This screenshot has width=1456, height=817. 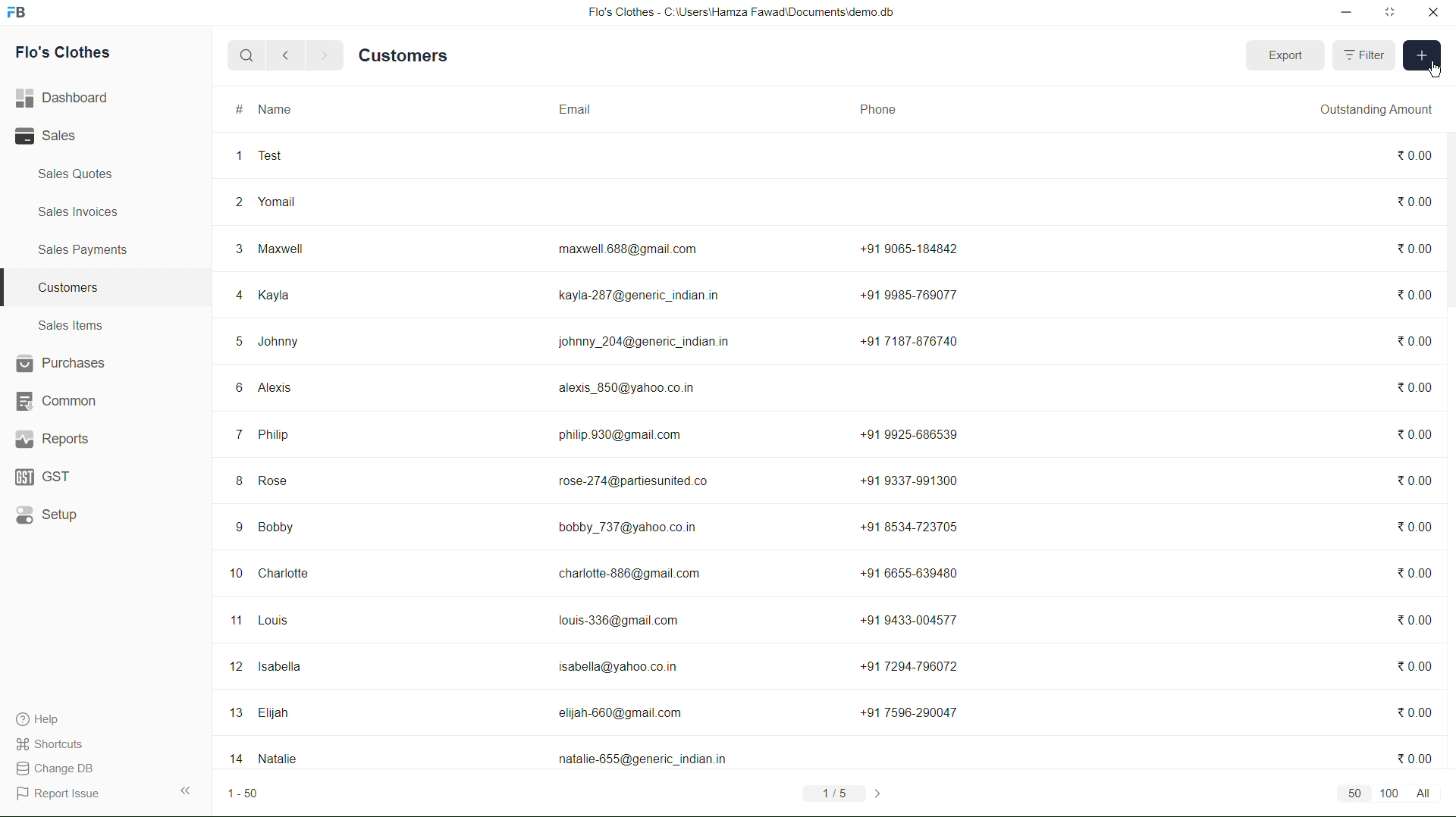 What do you see at coordinates (1435, 74) in the screenshot?
I see `cursor` at bounding box center [1435, 74].